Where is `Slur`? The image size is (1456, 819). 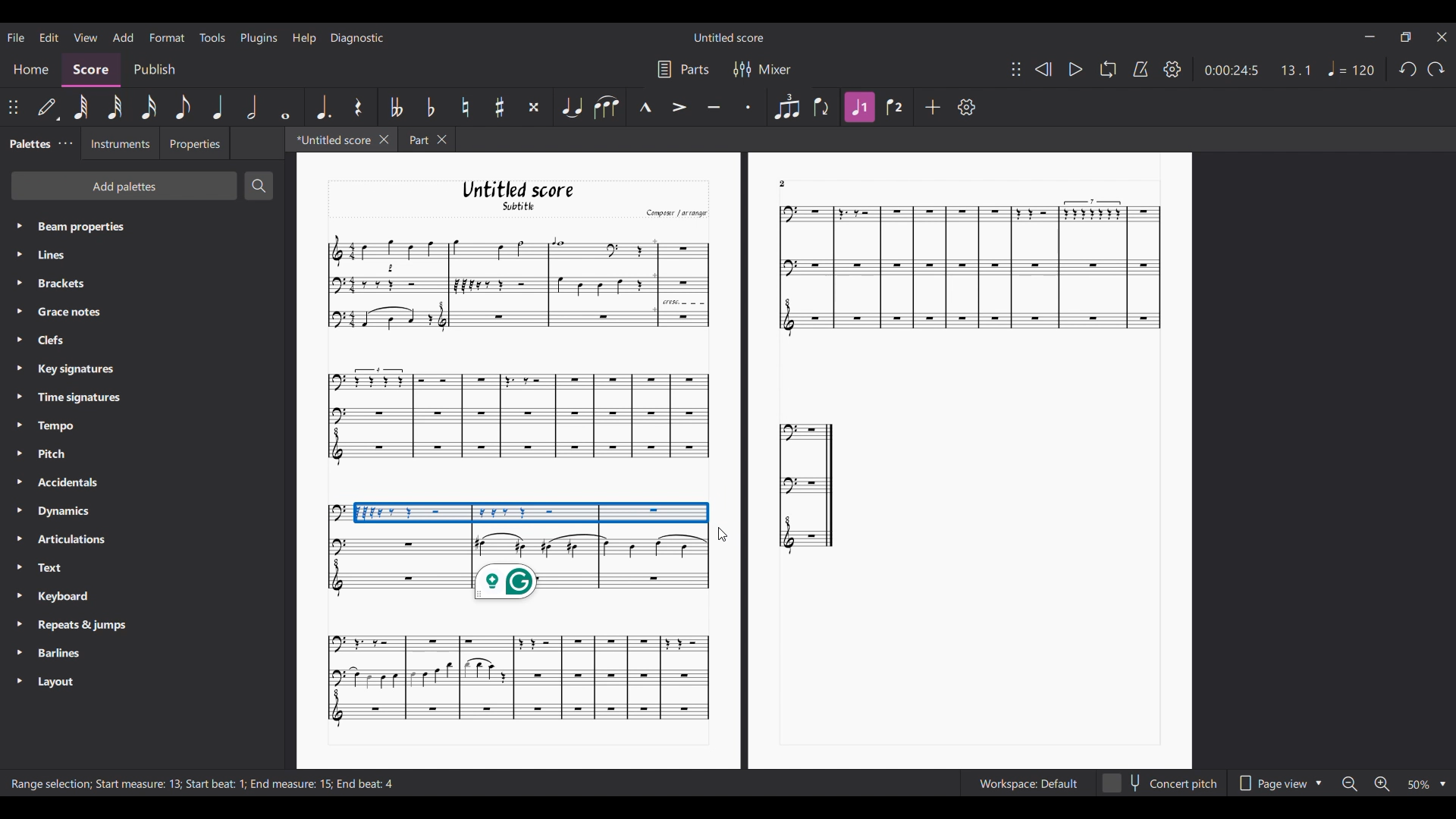 Slur is located at coordinates (607, 108).